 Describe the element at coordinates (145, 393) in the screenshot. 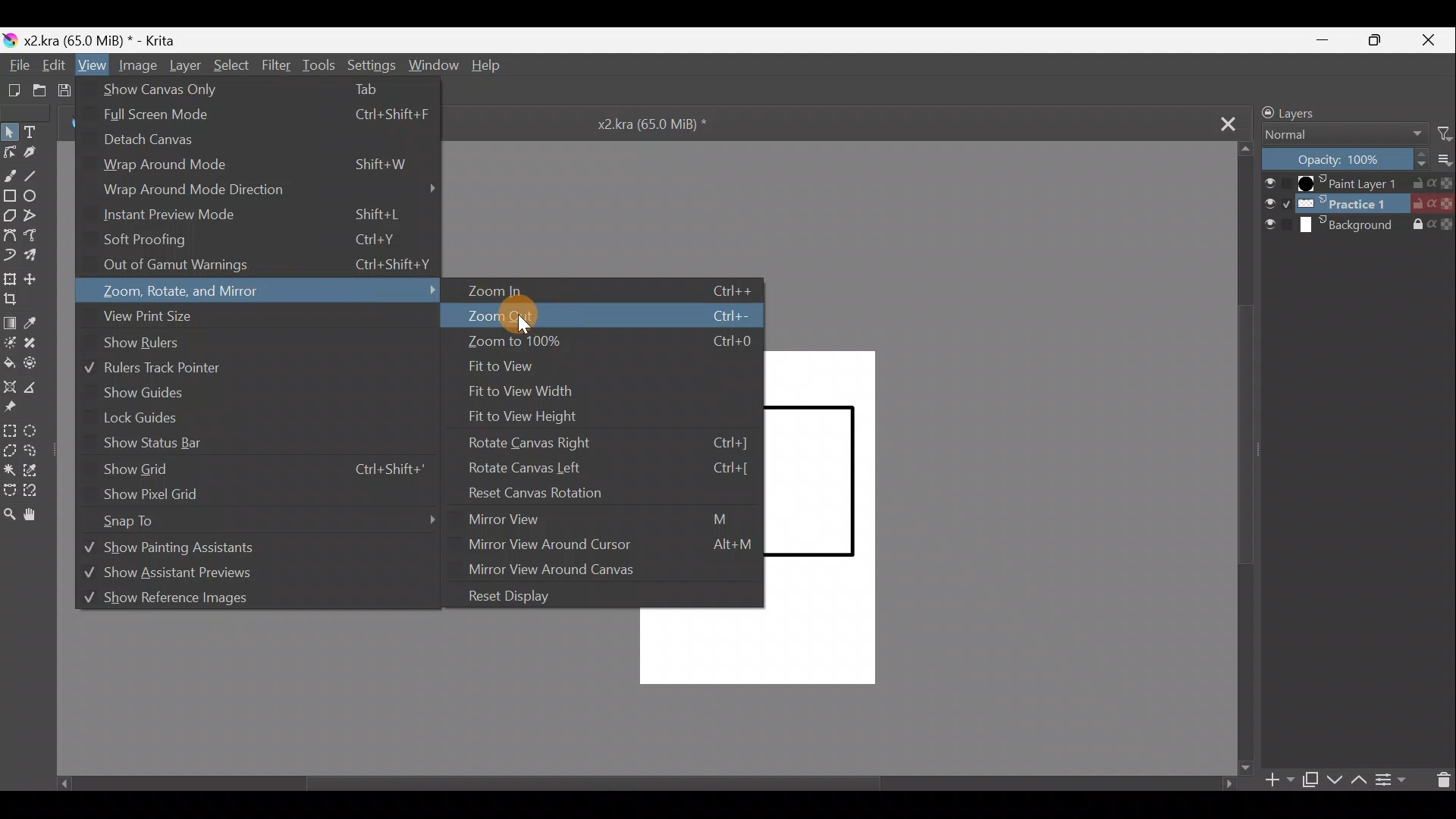

I see `Show guides` at that location.